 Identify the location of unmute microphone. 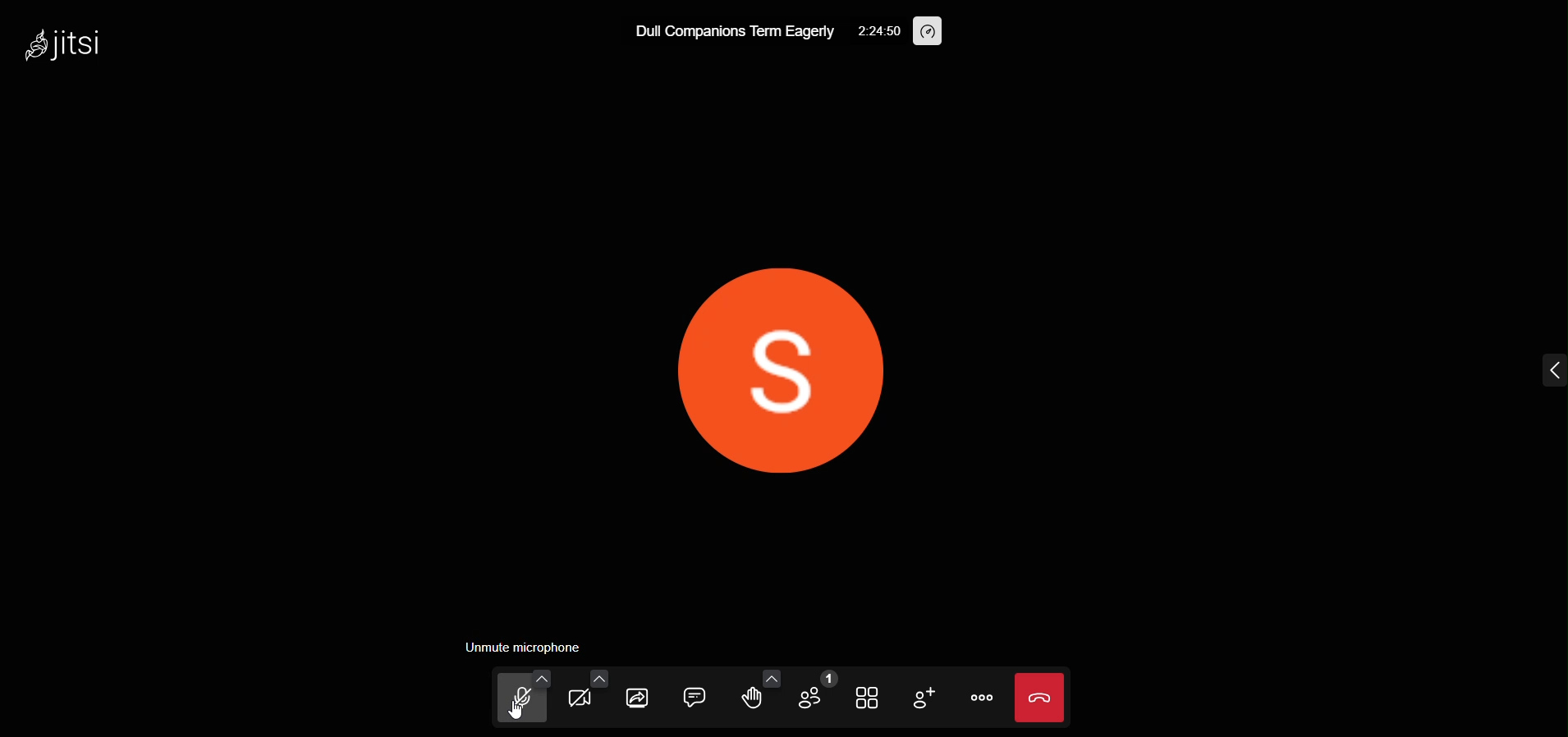
(519, 647).